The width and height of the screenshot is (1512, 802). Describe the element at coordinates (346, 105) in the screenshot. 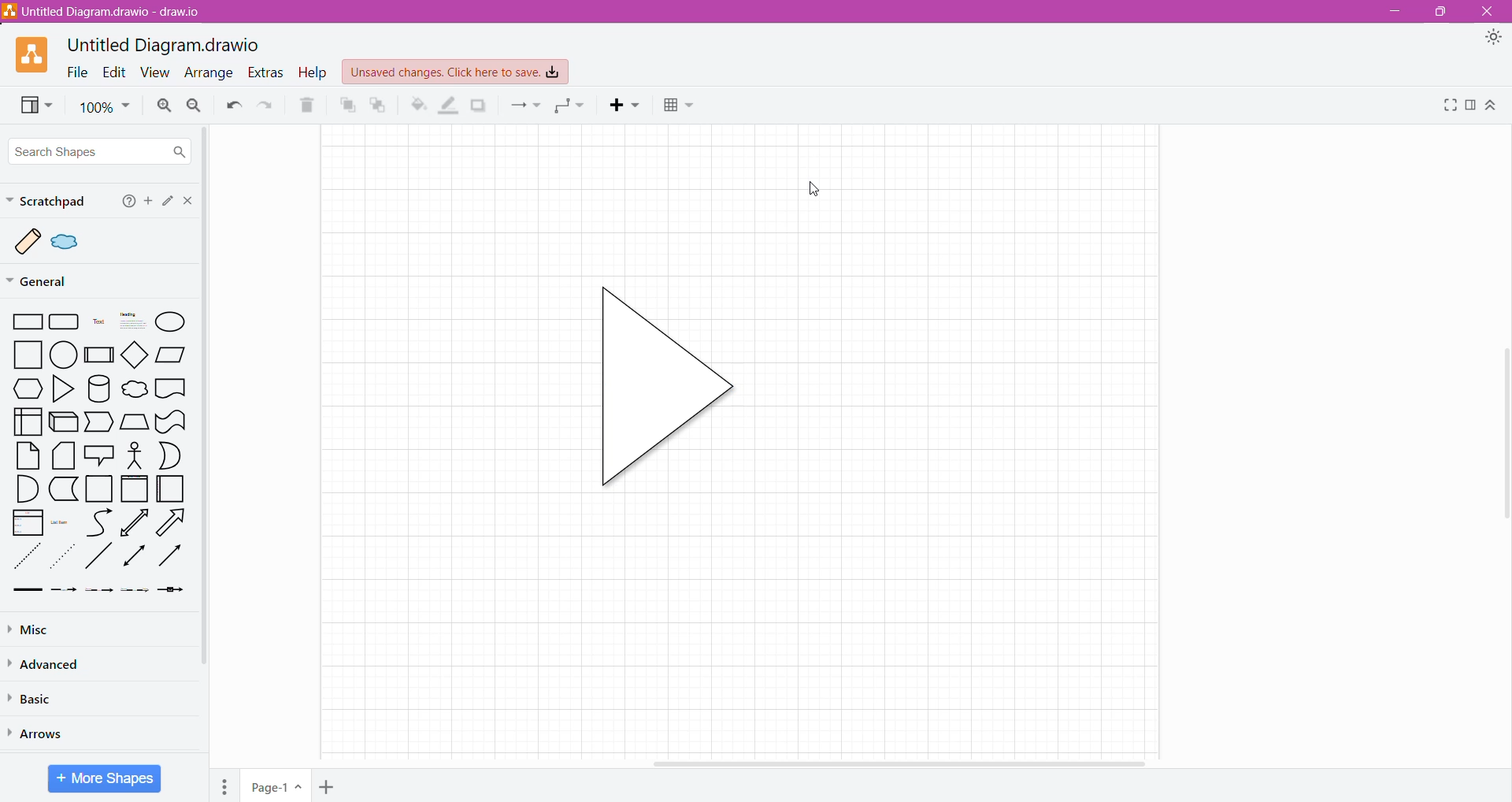

I see `To Front` at that location.